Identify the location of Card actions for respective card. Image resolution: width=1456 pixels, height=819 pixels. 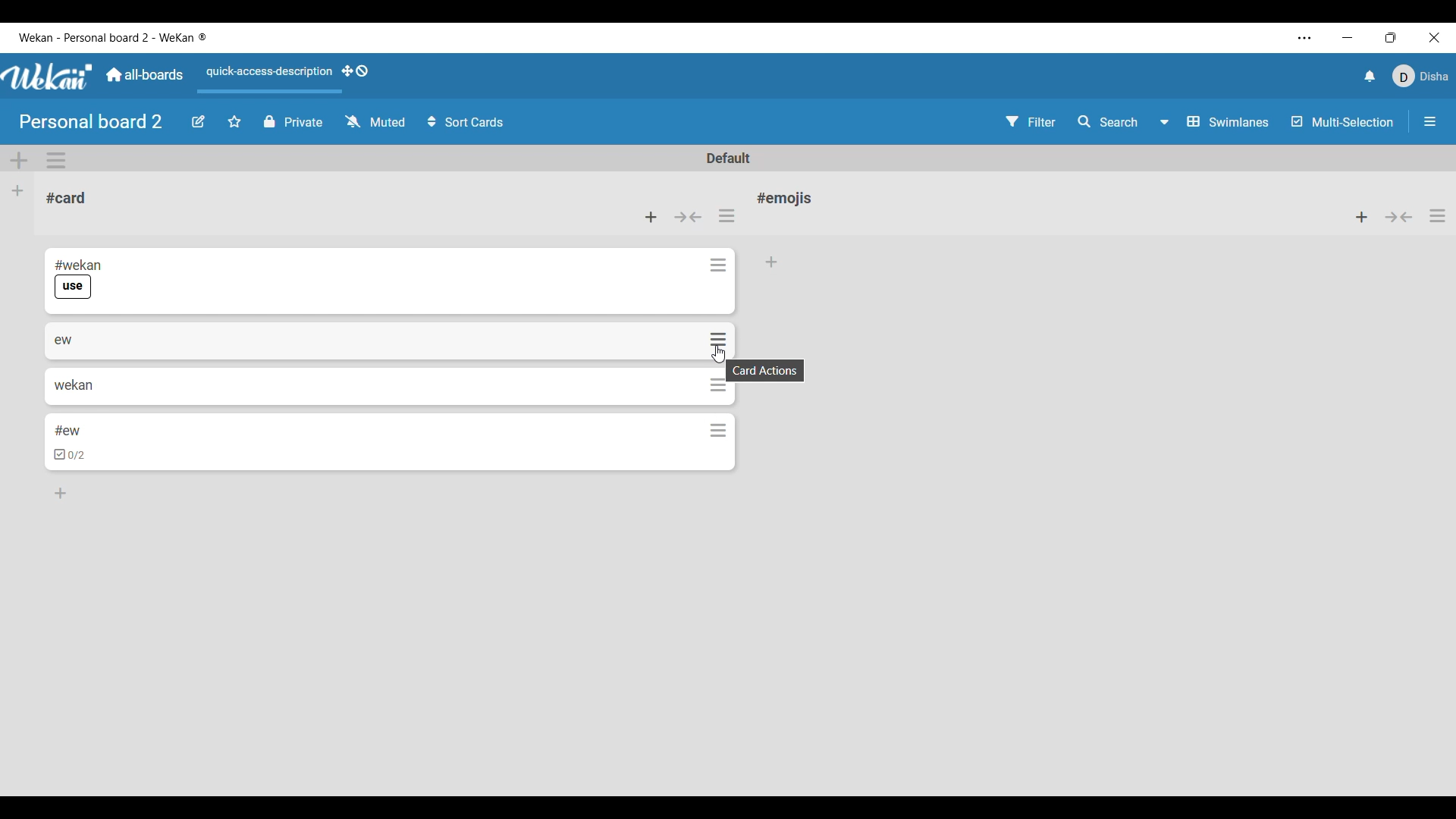
(718, 340).